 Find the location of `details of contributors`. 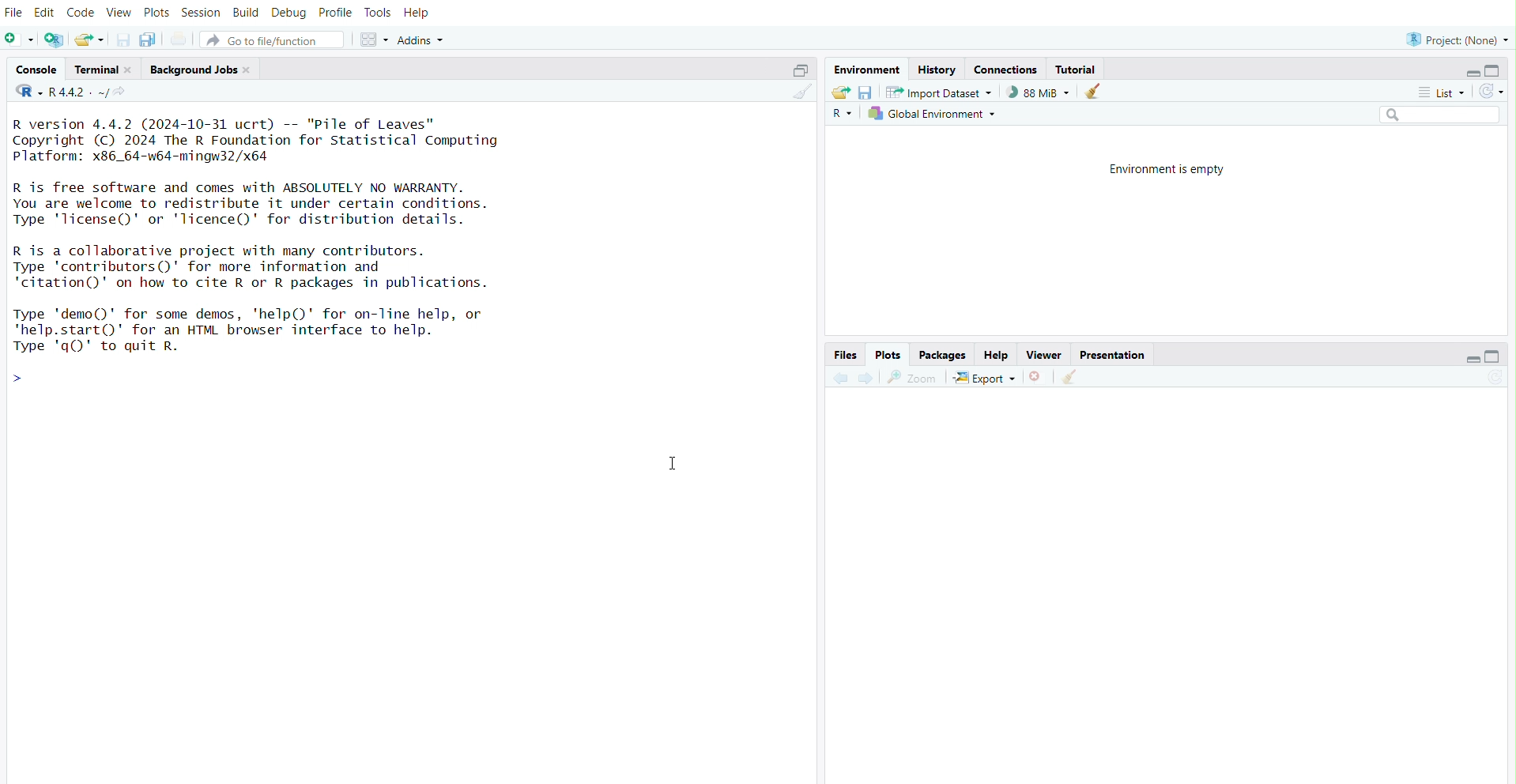

details of contributors is located at coordinates (289, 266).